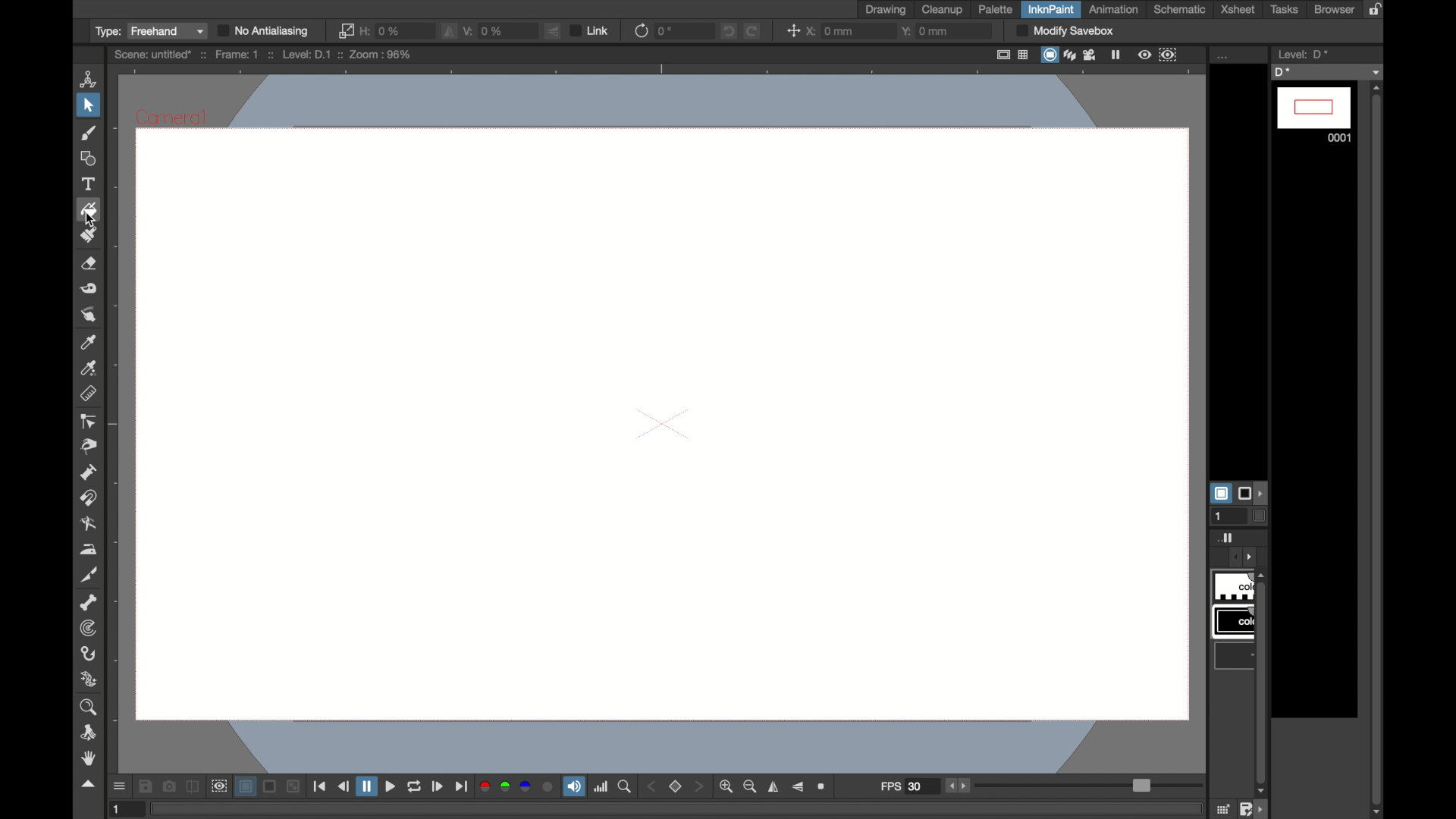 Image resolution: width=1456 pixels, height=819 pixels. What do you see at coordinates (393, 786) in the screenshot?
I see `play` at bounding box center [393, 786].